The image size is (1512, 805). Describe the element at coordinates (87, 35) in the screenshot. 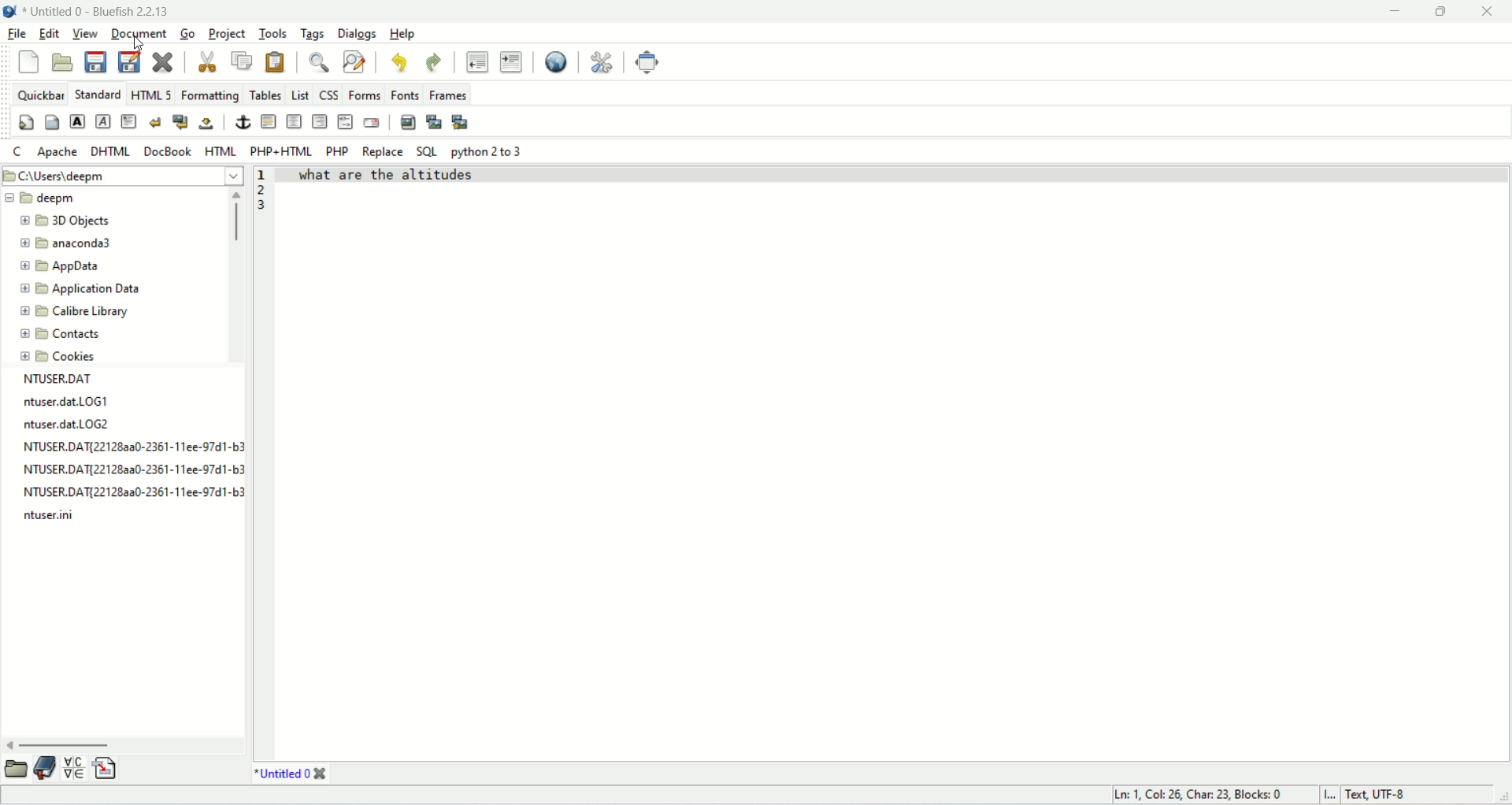

I see `view` at that location.